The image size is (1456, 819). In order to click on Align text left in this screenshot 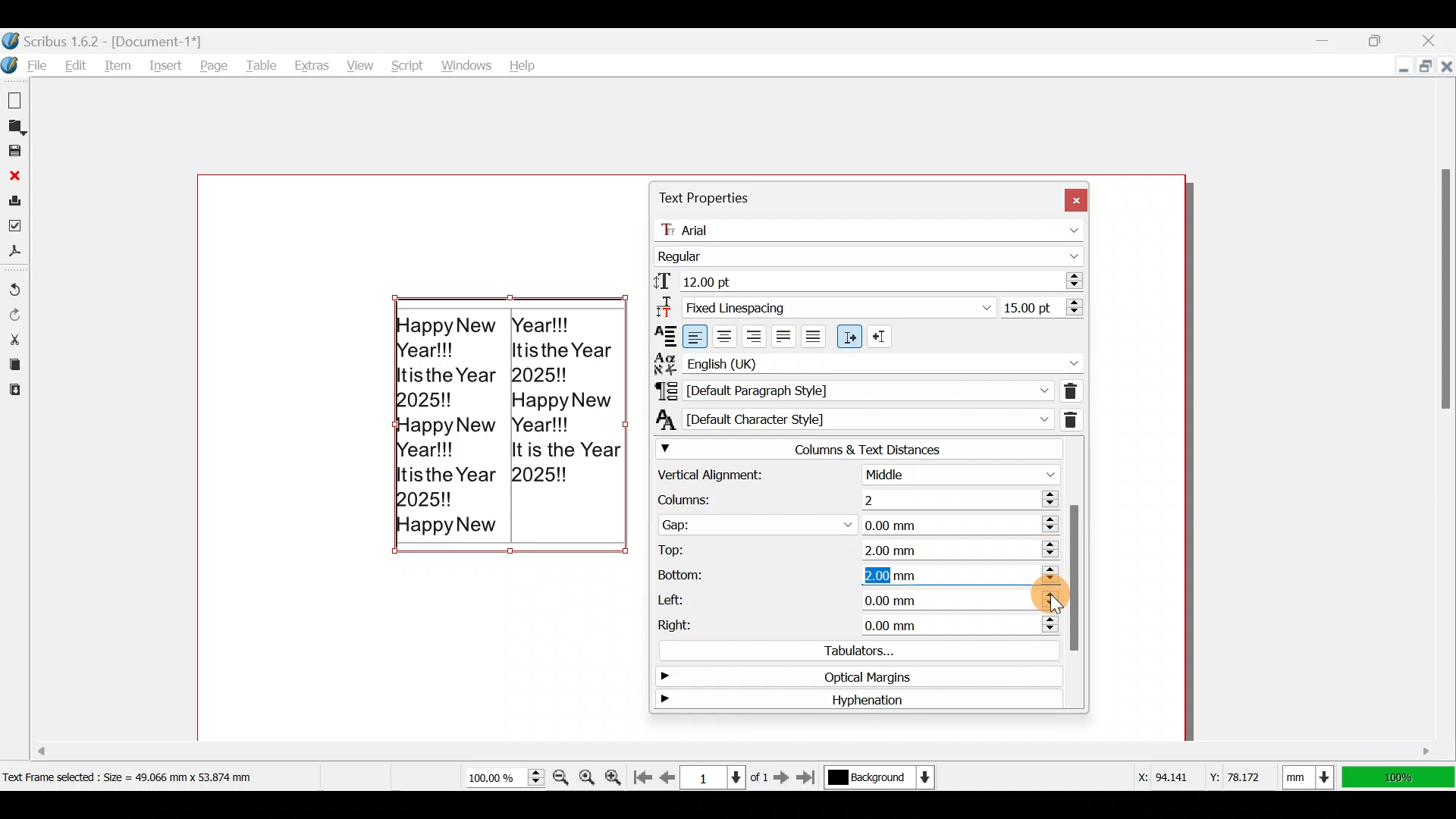, I will do `click(697, 335)`.